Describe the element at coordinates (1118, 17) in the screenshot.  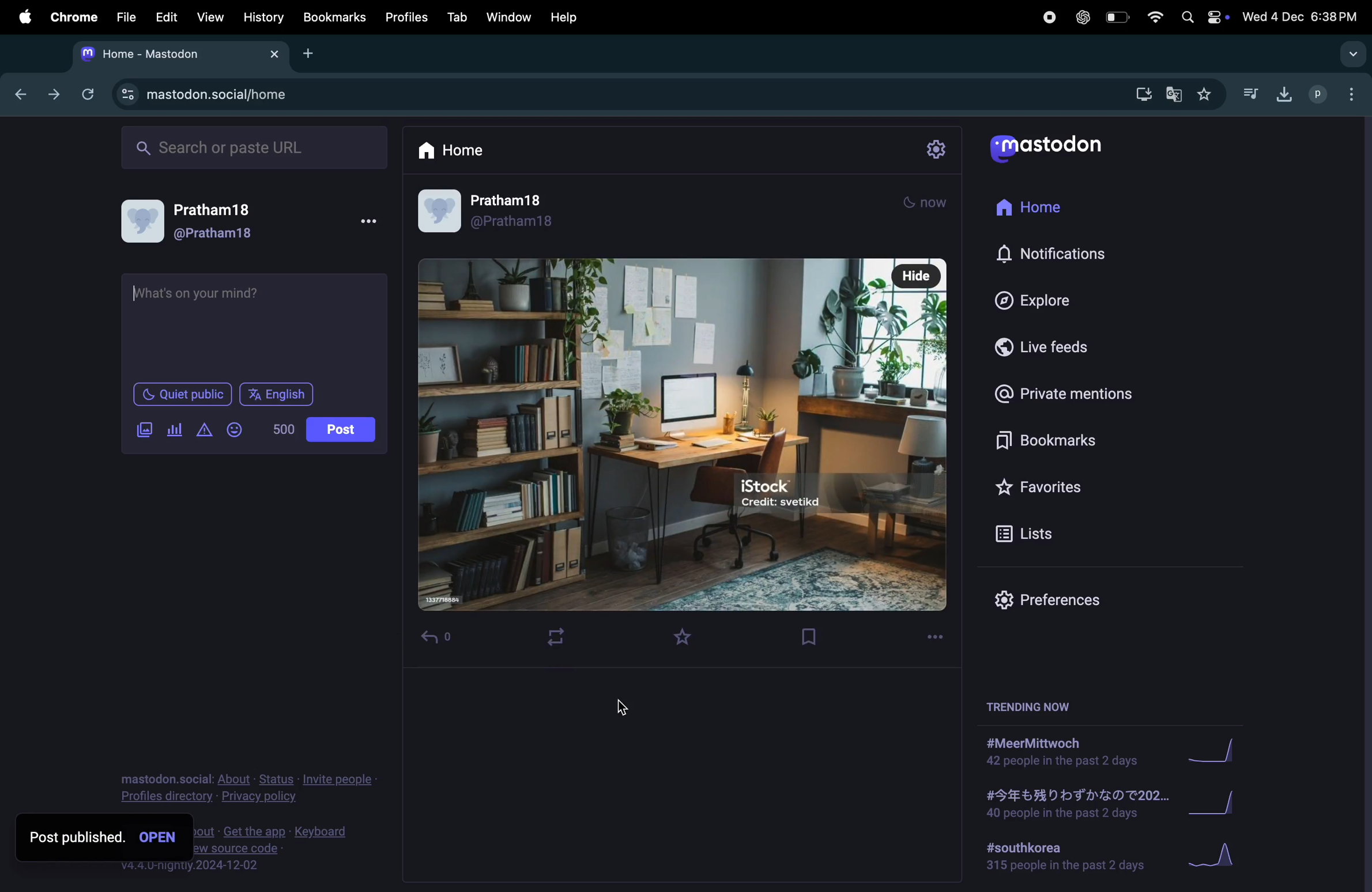
I see `battery` at that location.